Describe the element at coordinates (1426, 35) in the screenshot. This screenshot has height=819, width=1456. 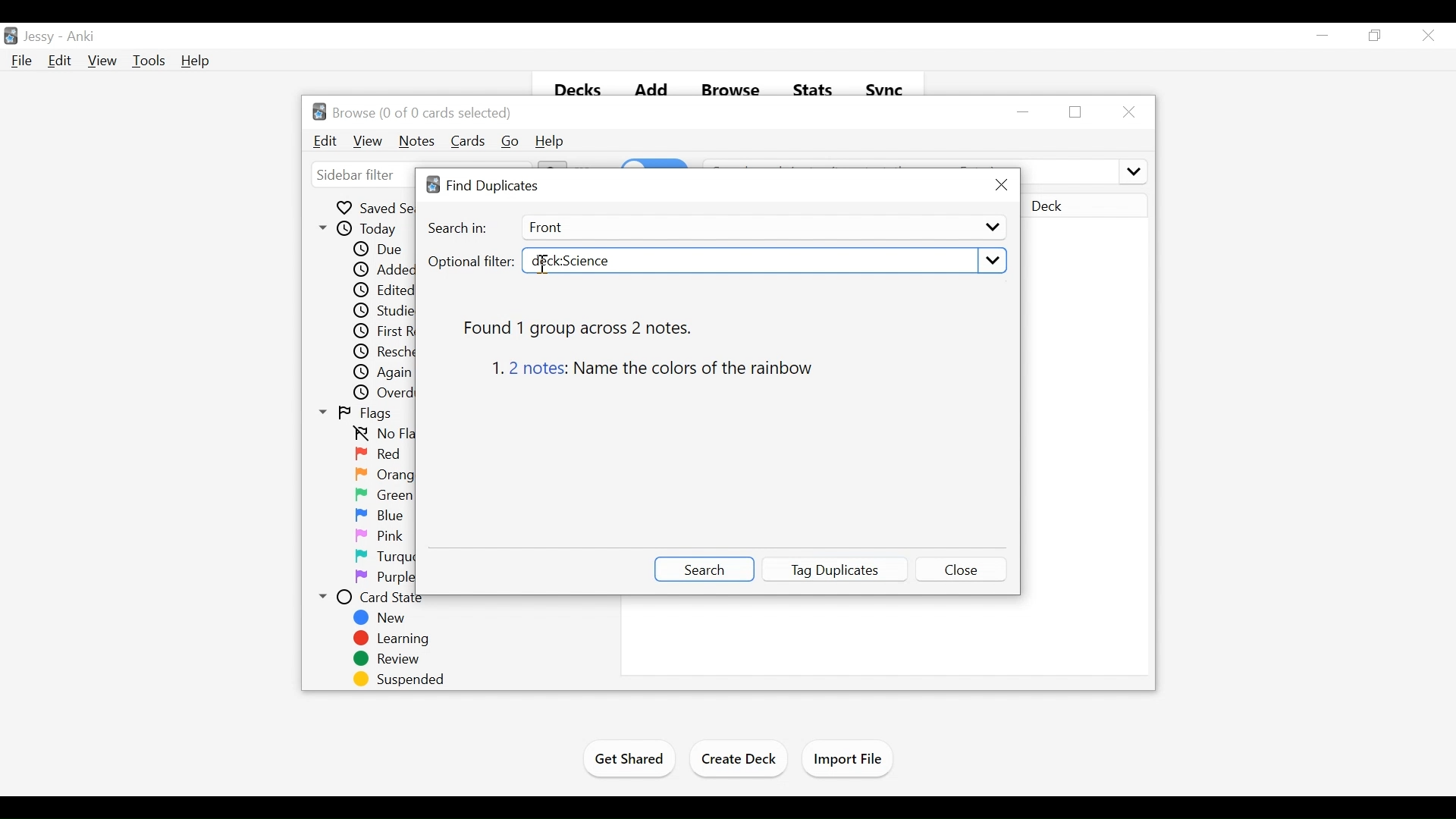
I see `Close` at that location.